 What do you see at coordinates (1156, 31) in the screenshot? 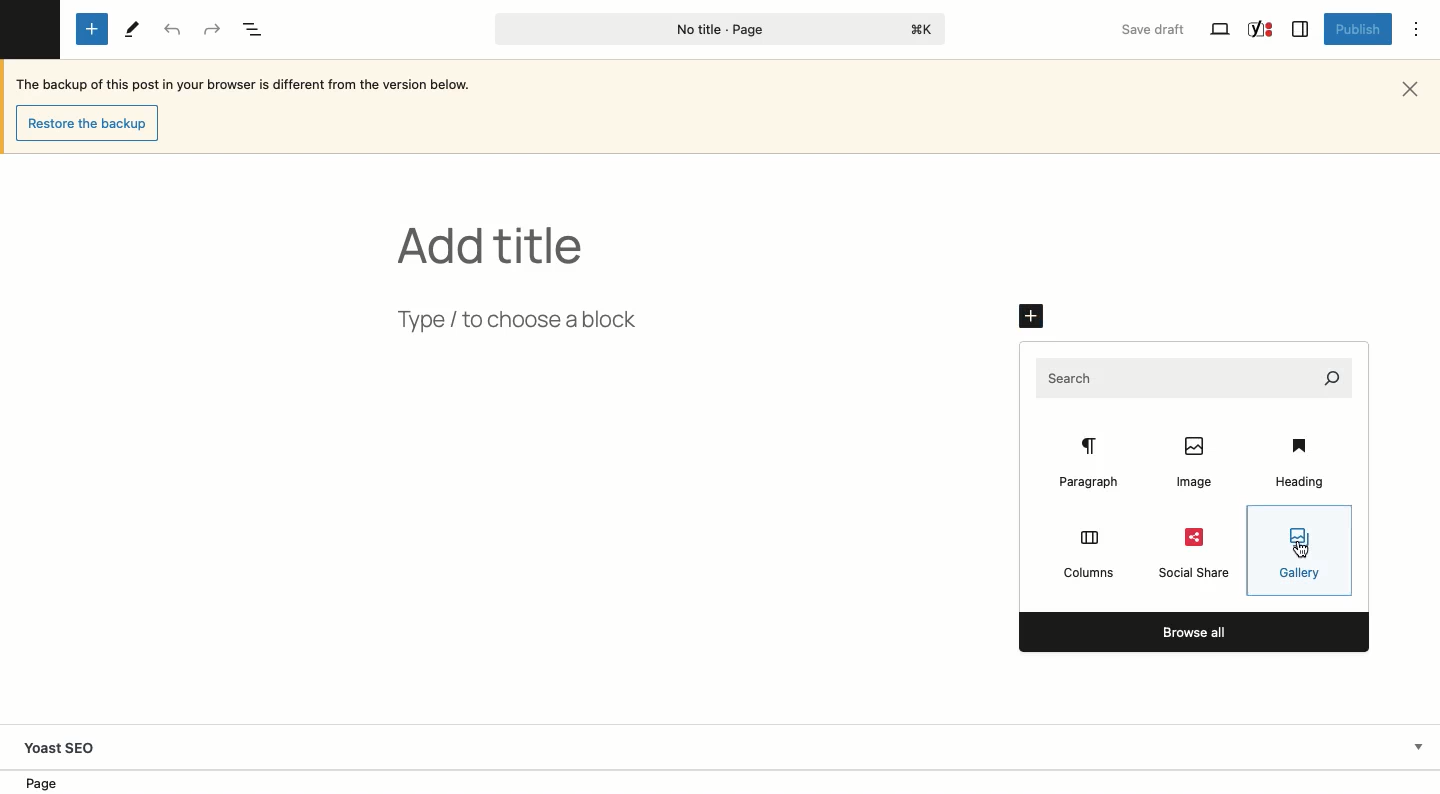
I see `Save draft` at bounding box center [1156, 31].